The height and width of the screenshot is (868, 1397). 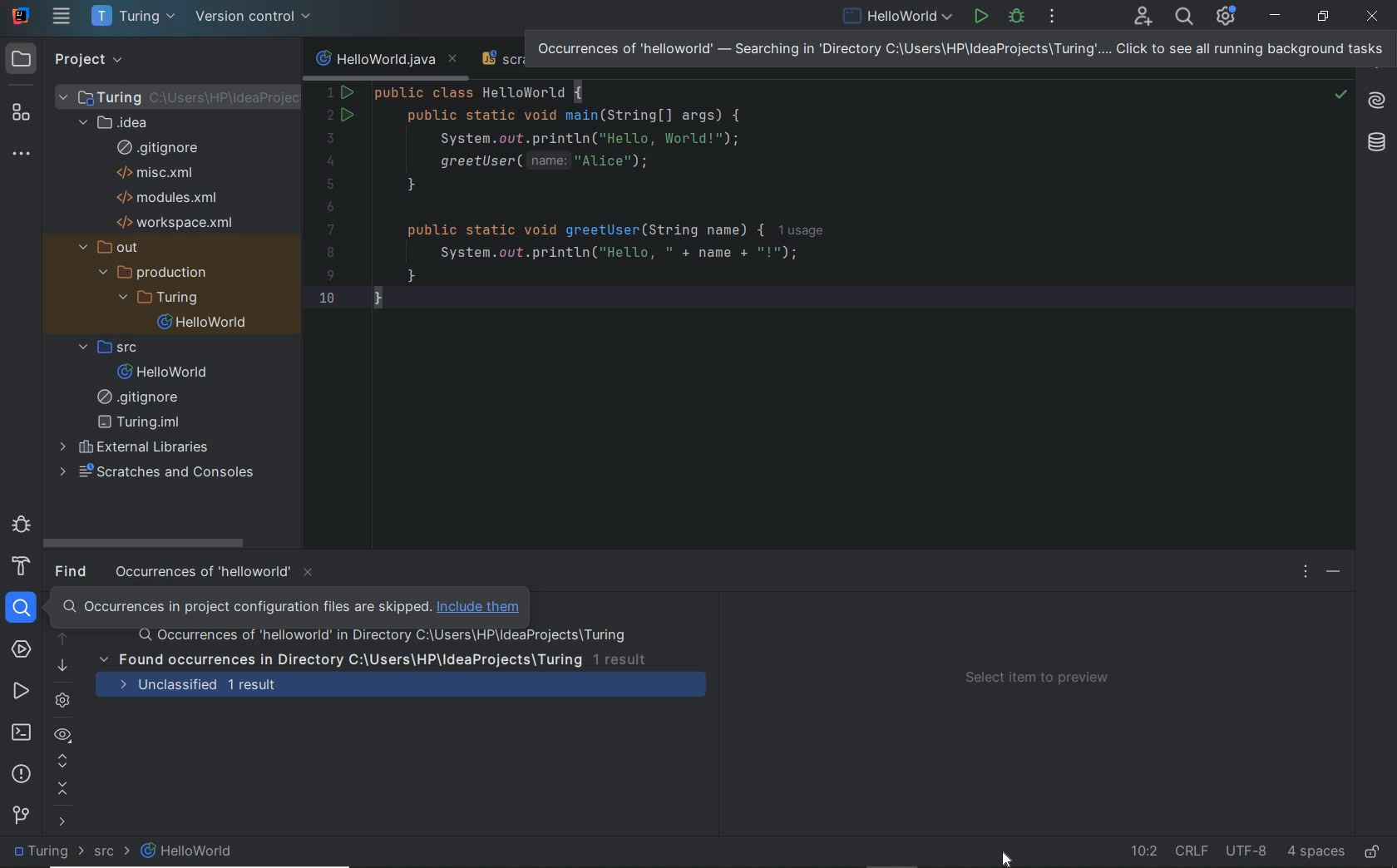 I want to click on file name, so click(x=168, y=372).